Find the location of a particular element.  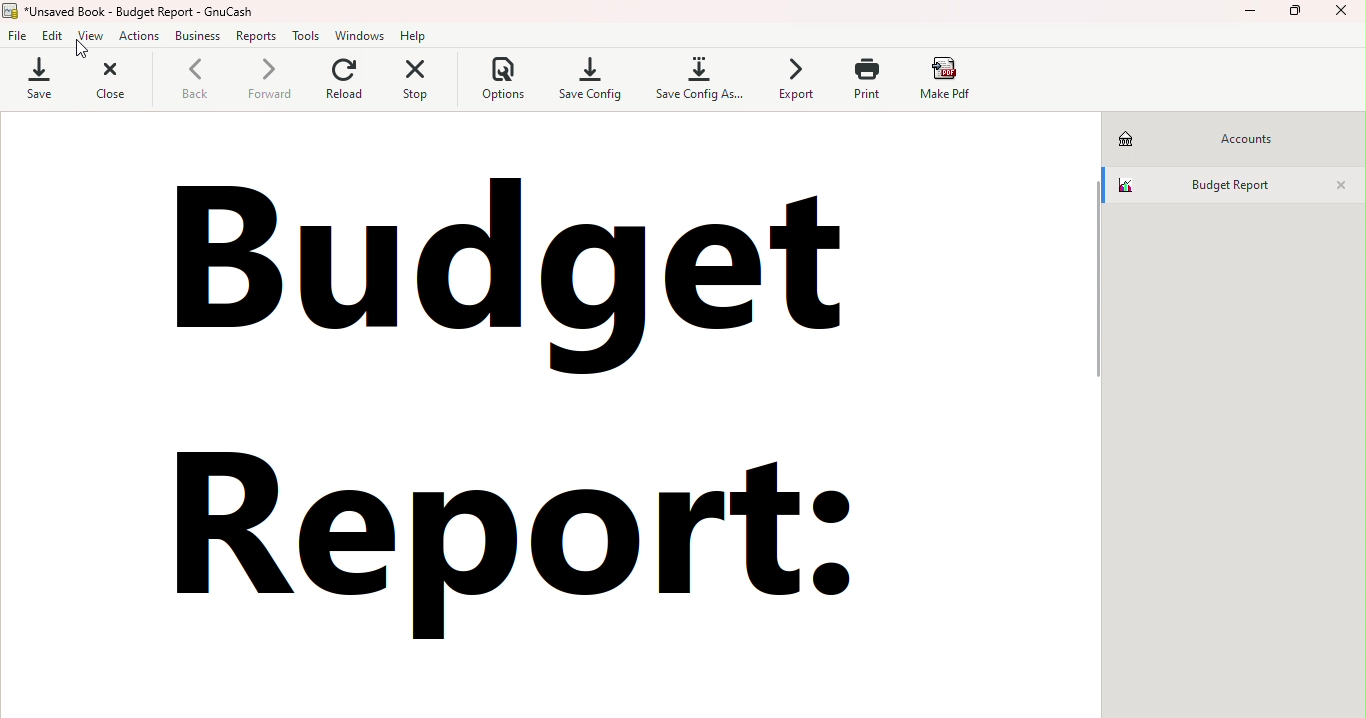

Close is located at coordinates (109, 83).